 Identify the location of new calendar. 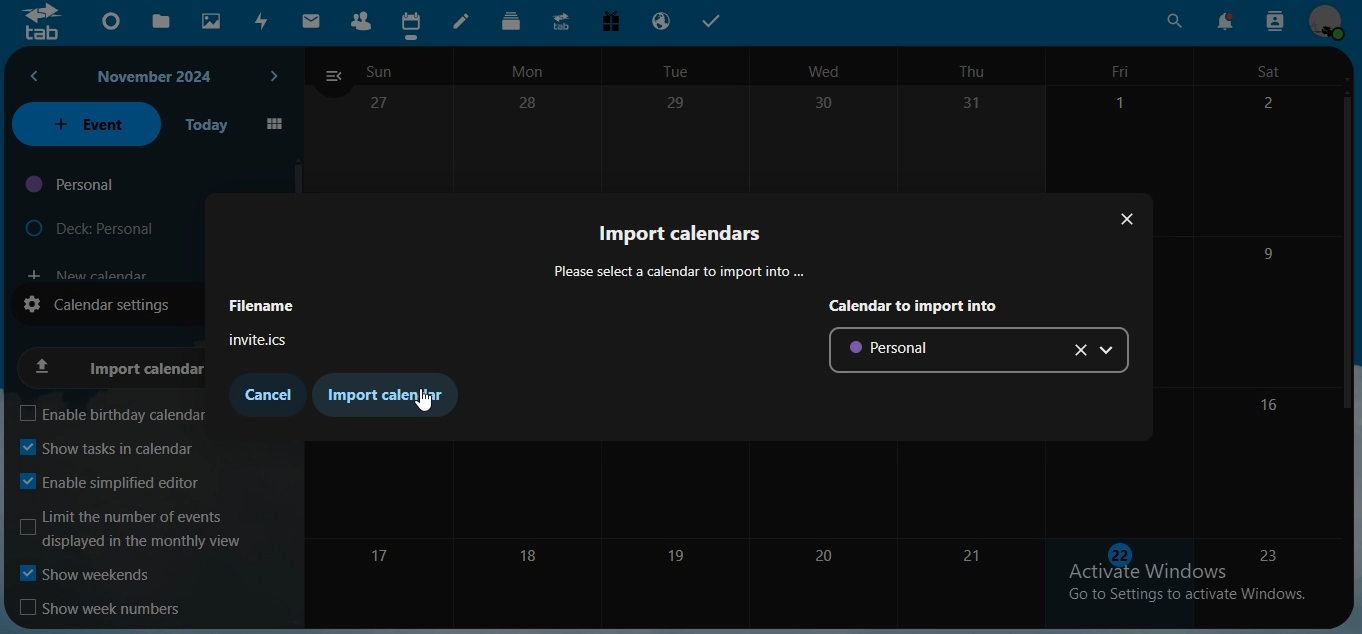
(86, 271).